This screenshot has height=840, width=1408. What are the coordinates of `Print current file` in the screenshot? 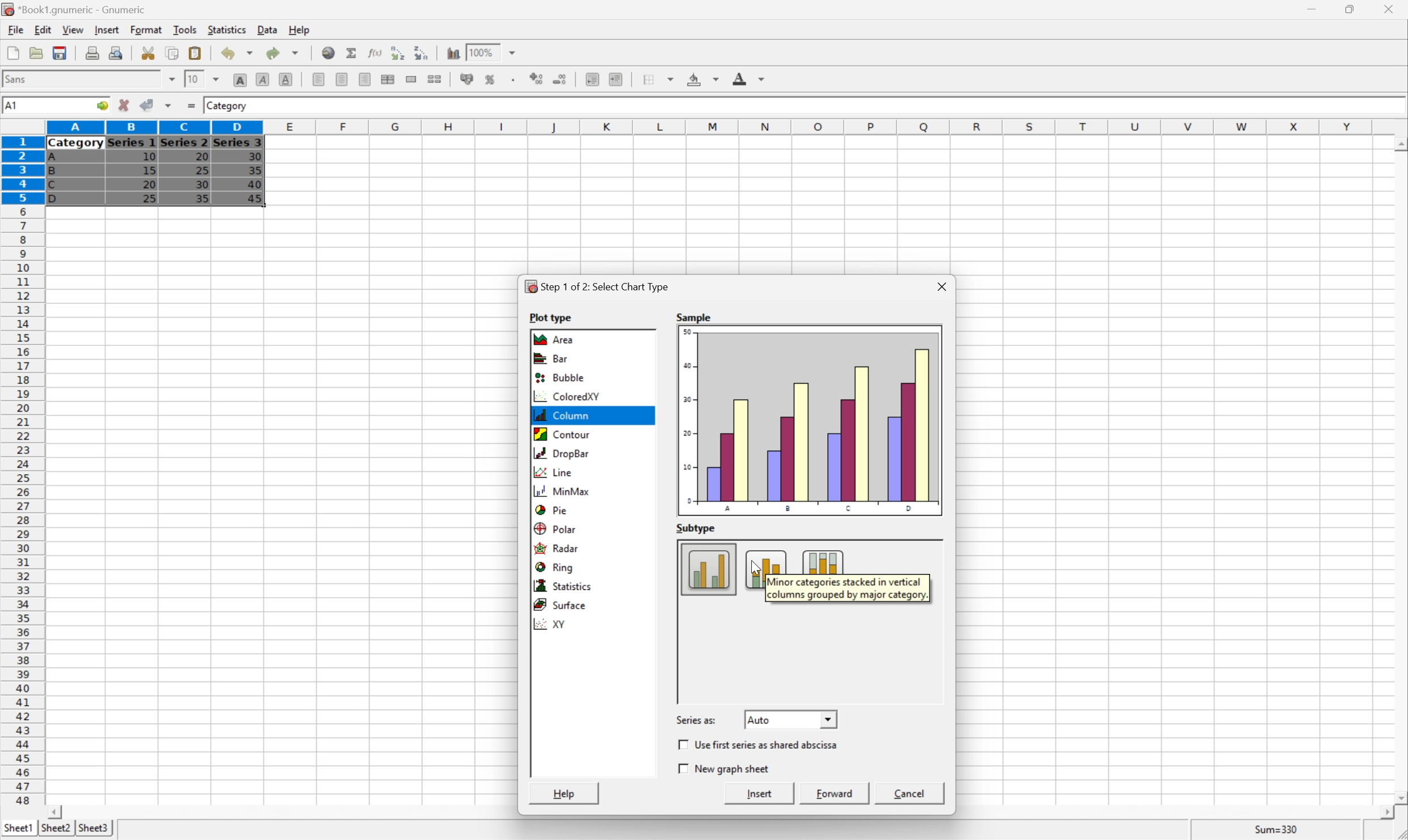 It's located at (92, 54).